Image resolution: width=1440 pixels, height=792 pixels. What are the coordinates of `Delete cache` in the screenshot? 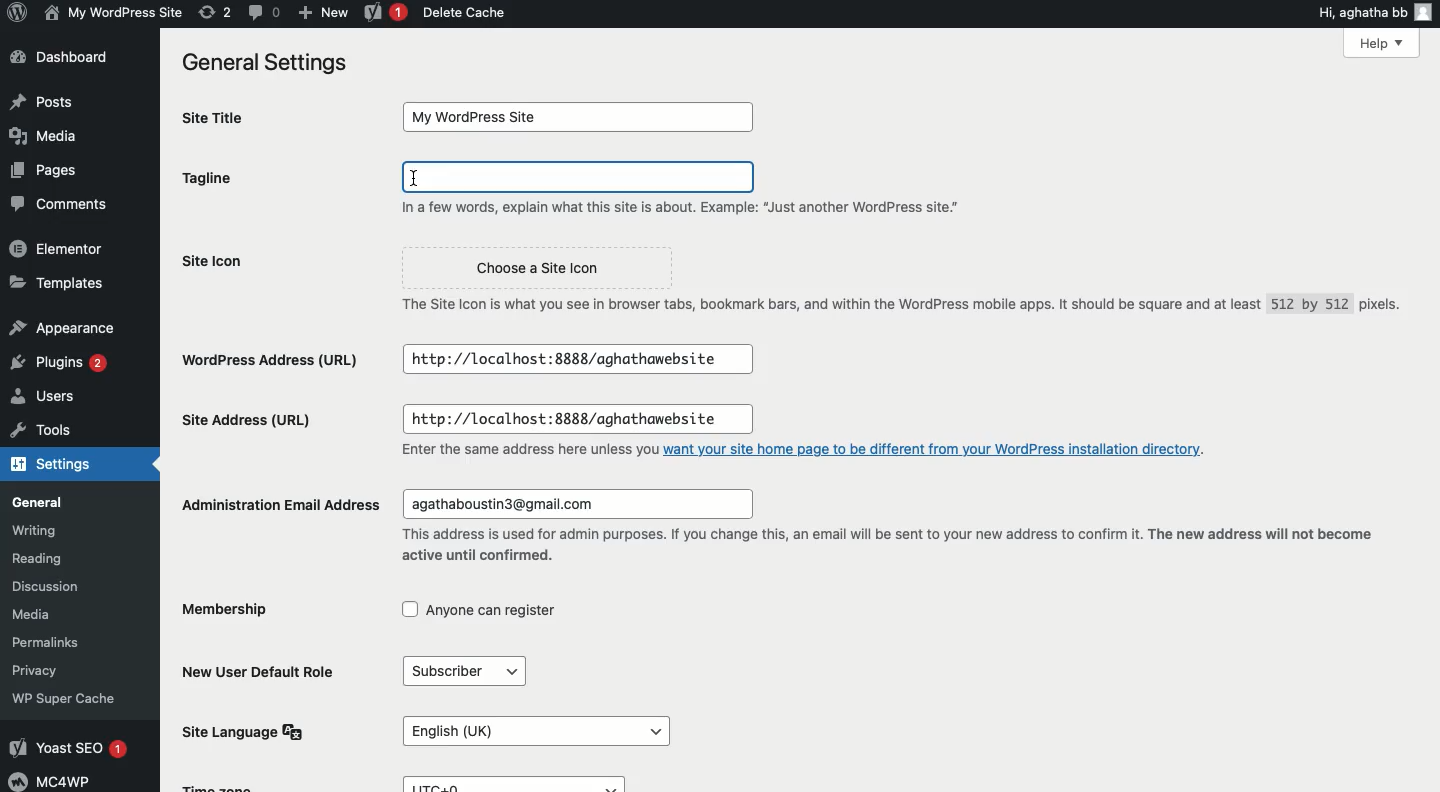 It's located at (465, 12).